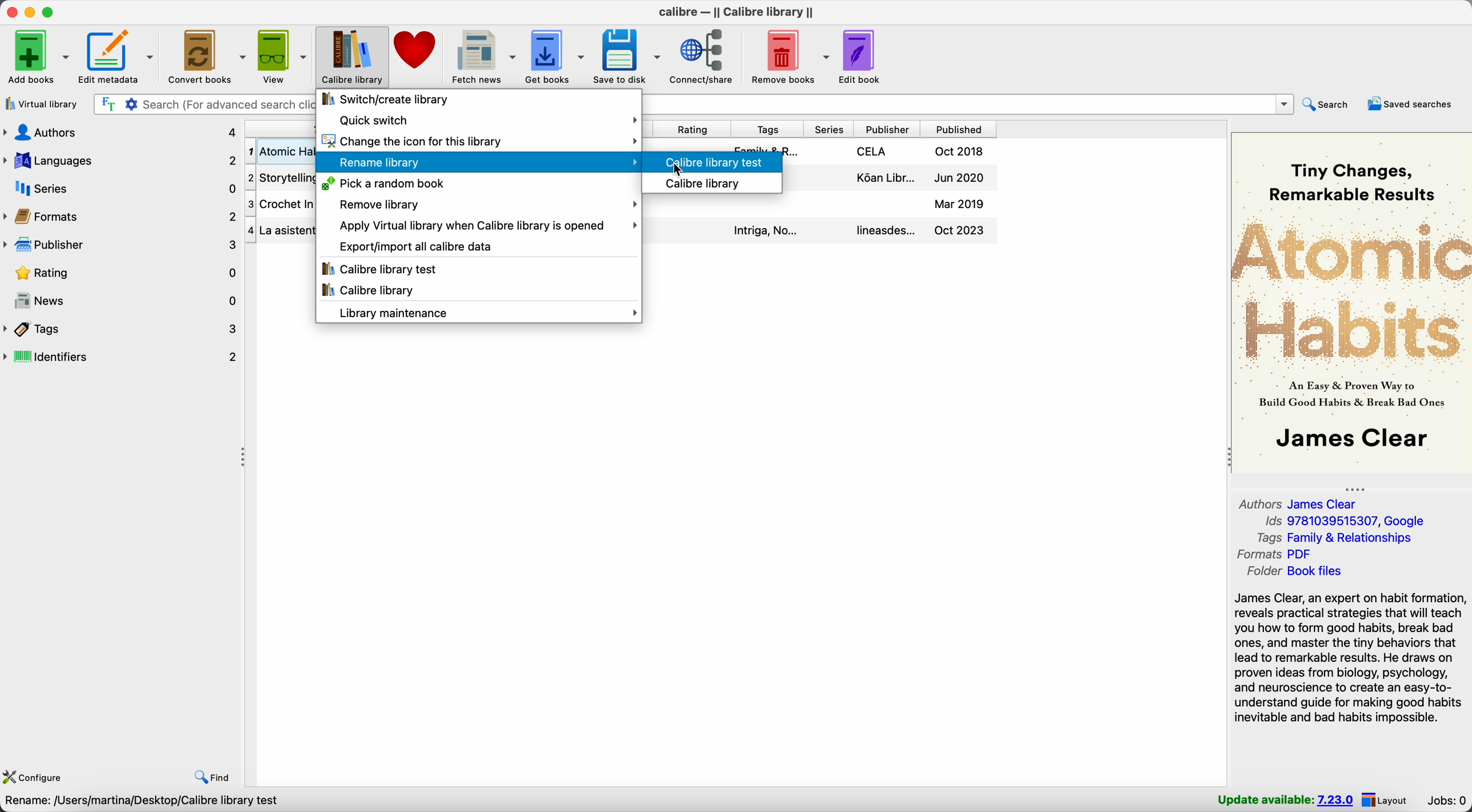  What do you see at coordinates (766, 129) in the screenshot?
I see `tags` at bounding box center [766, 129].